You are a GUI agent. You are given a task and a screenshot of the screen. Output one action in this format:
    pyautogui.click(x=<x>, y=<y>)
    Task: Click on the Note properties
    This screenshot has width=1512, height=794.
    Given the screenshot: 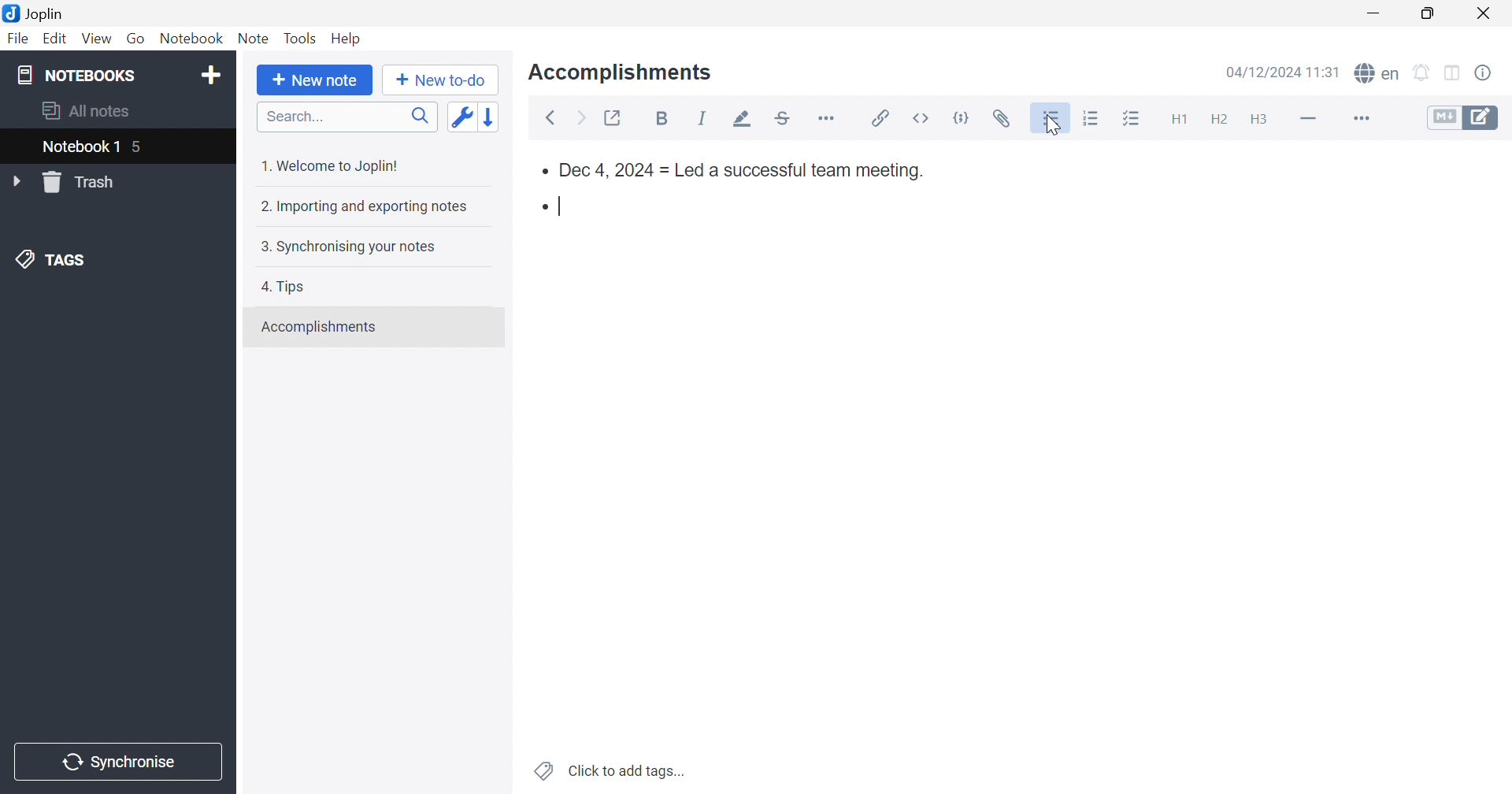 What is the action you would take?
    pyautogui.click(x=1486, y=74)
    